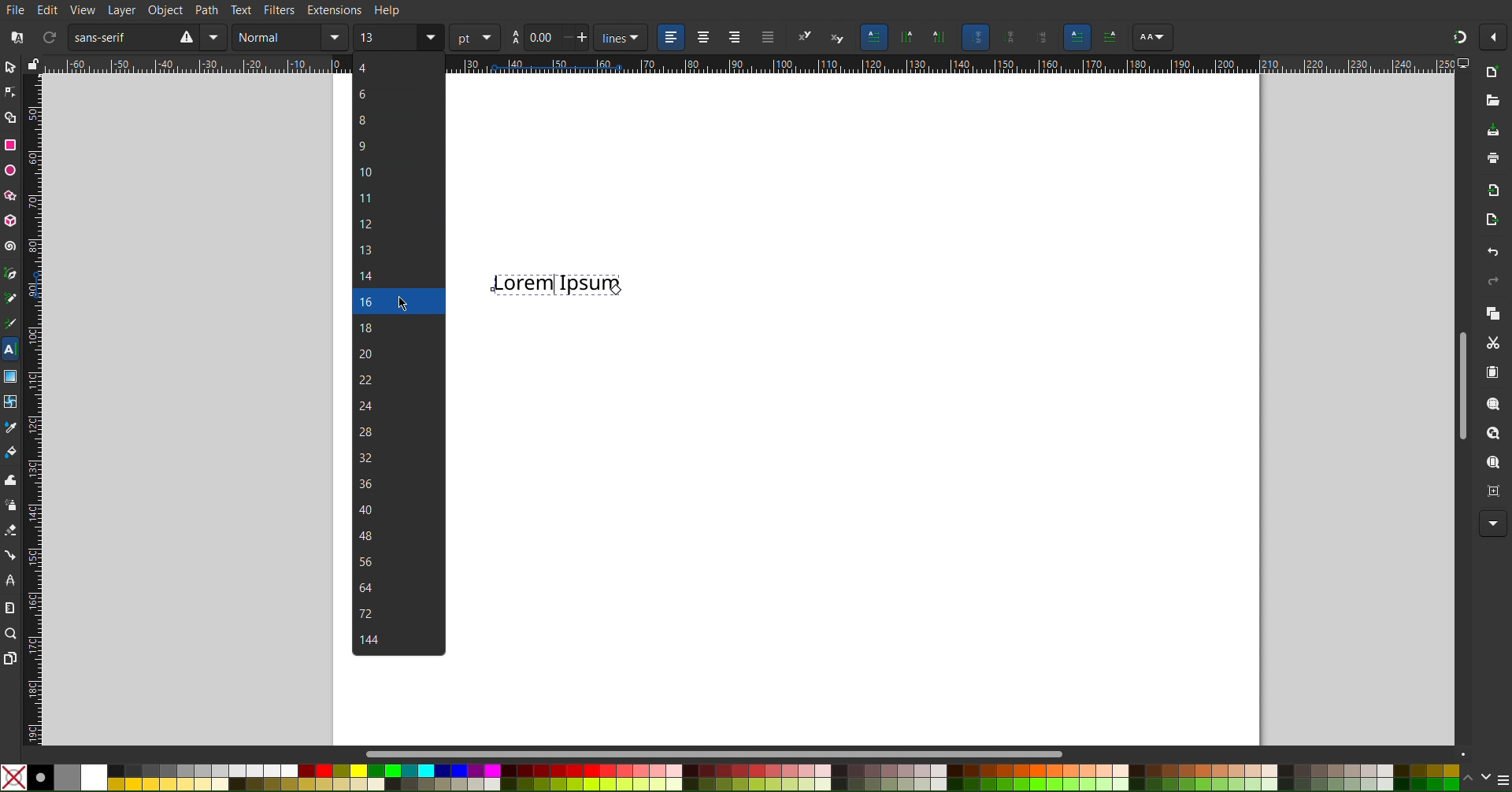  Describe the element at coordinates (1493, 131) in the screenshot. I see `Save` at that location.